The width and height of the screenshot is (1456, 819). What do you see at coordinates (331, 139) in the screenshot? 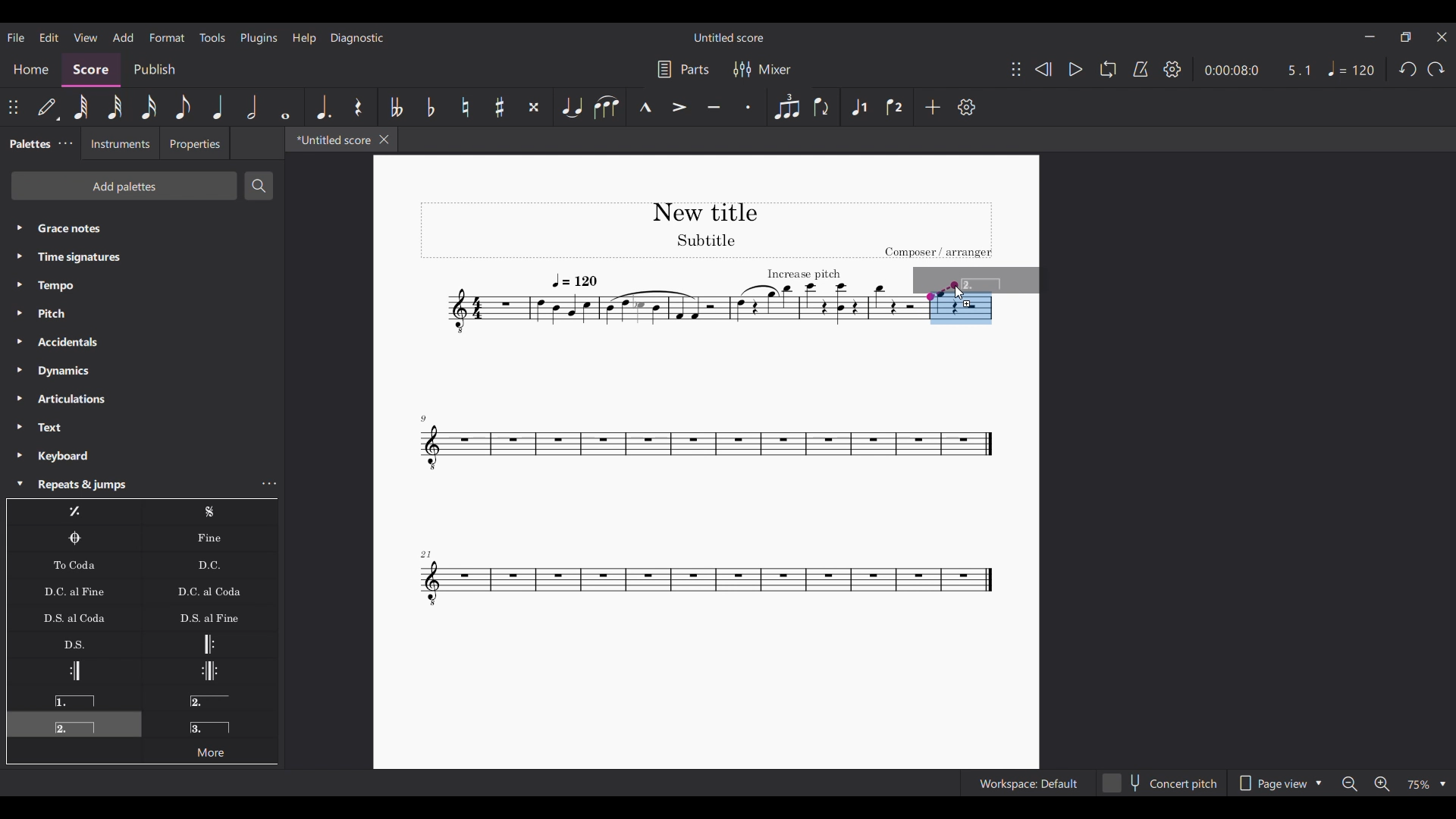
I see `*Untitled score, current tab` at bounding box center [331, 139].